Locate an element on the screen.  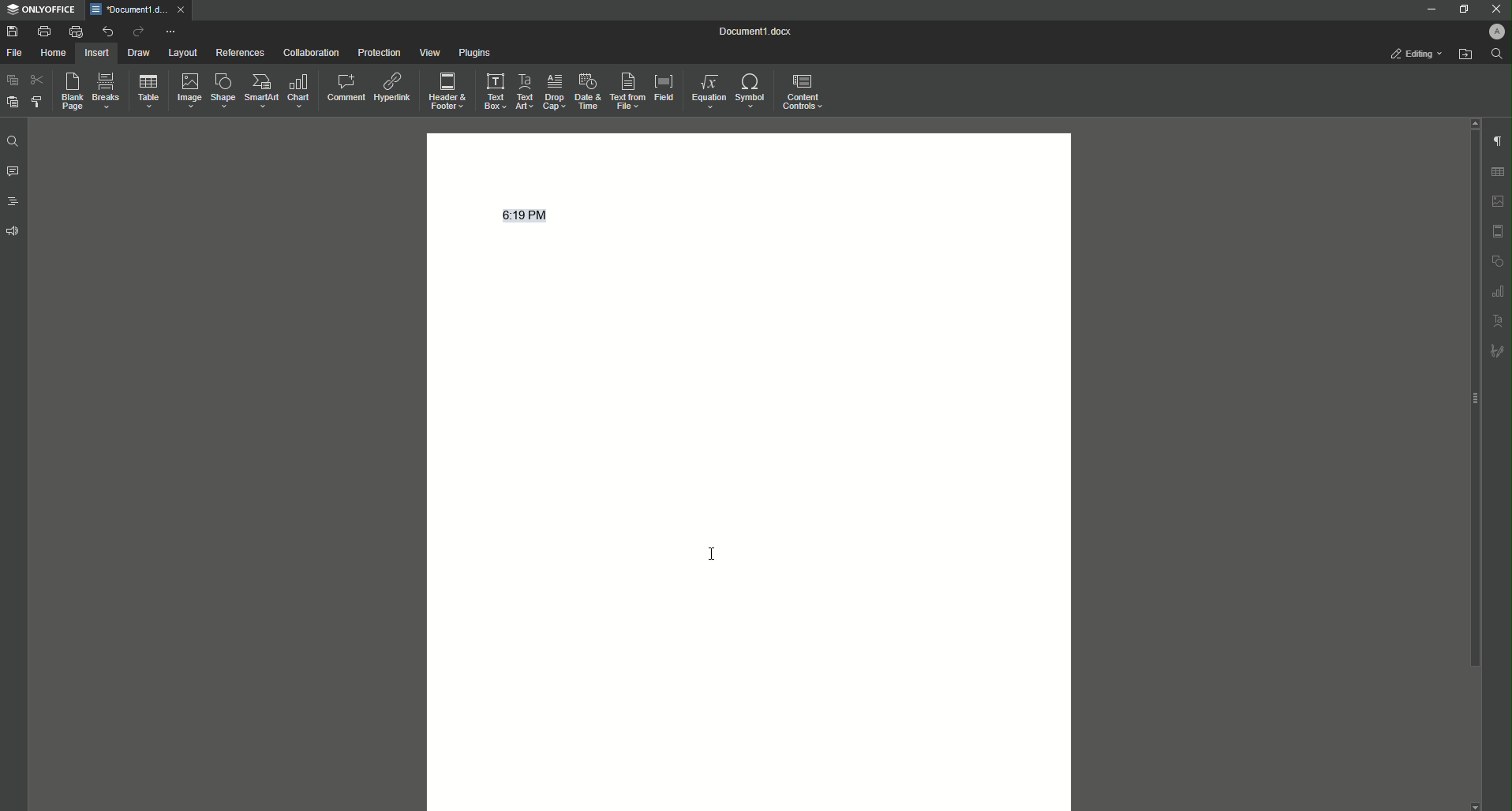
header and footer settings is located at coordinates (1498, 231).